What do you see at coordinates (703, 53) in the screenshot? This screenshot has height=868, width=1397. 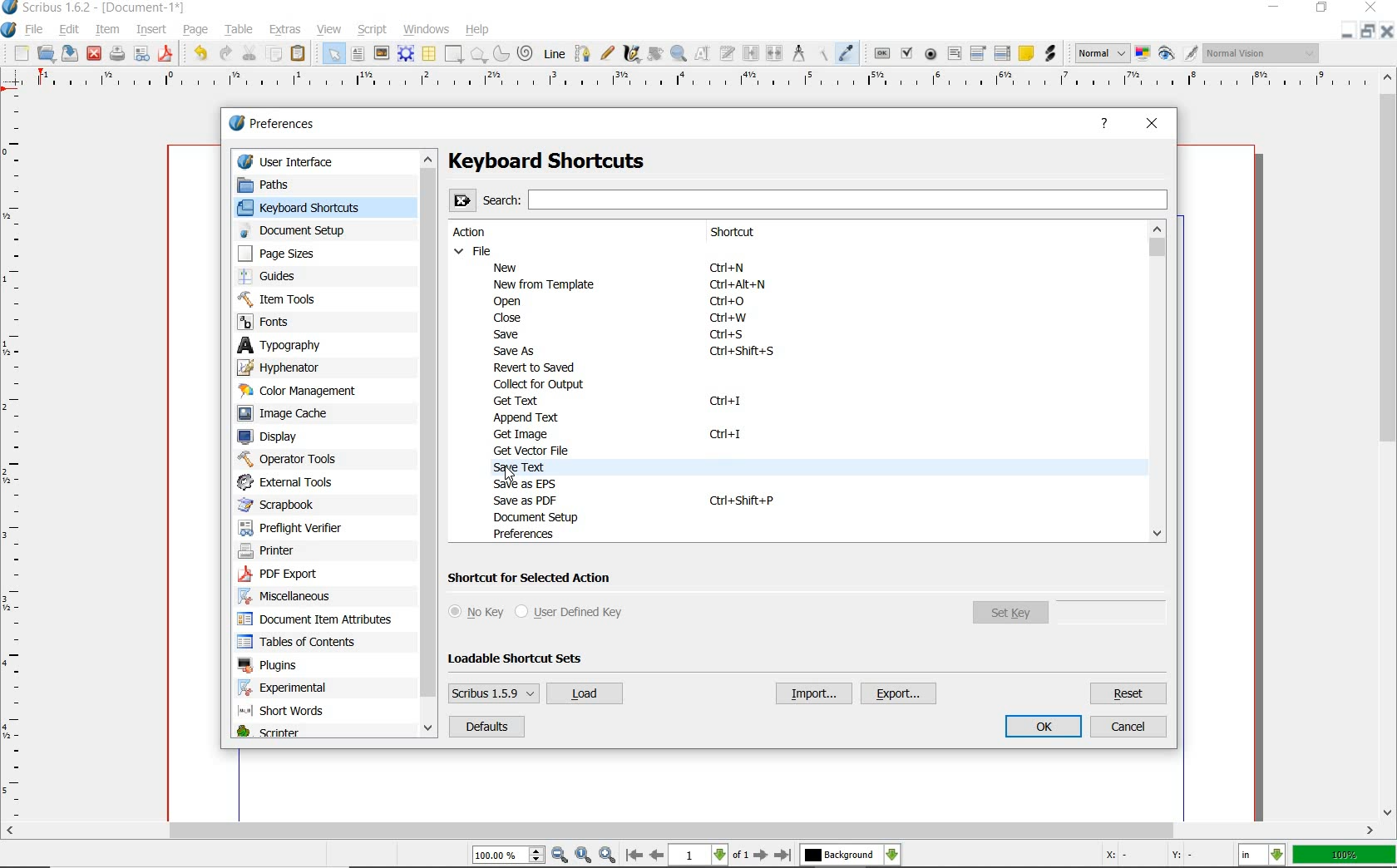 I see `edit contents of frame` at bounding box center [703, 53].